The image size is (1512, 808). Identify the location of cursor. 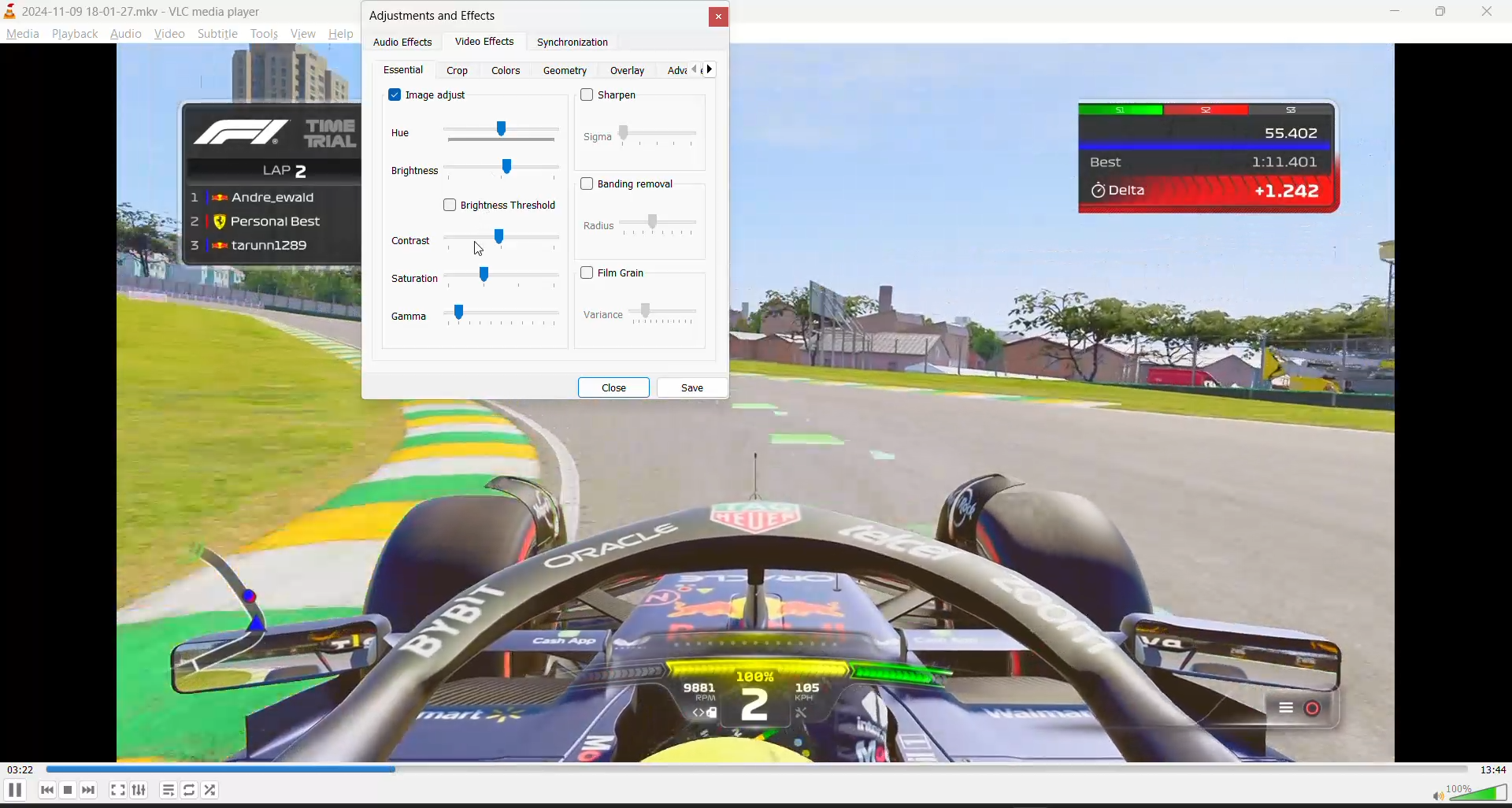
(480, 250).